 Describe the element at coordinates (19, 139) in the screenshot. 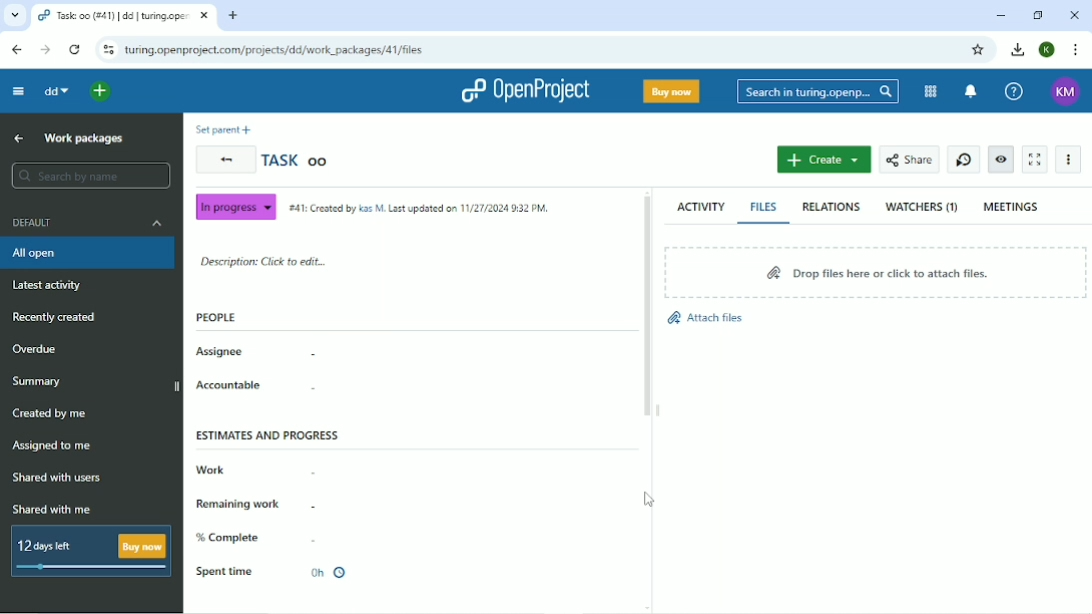

I see `Up` at that location.